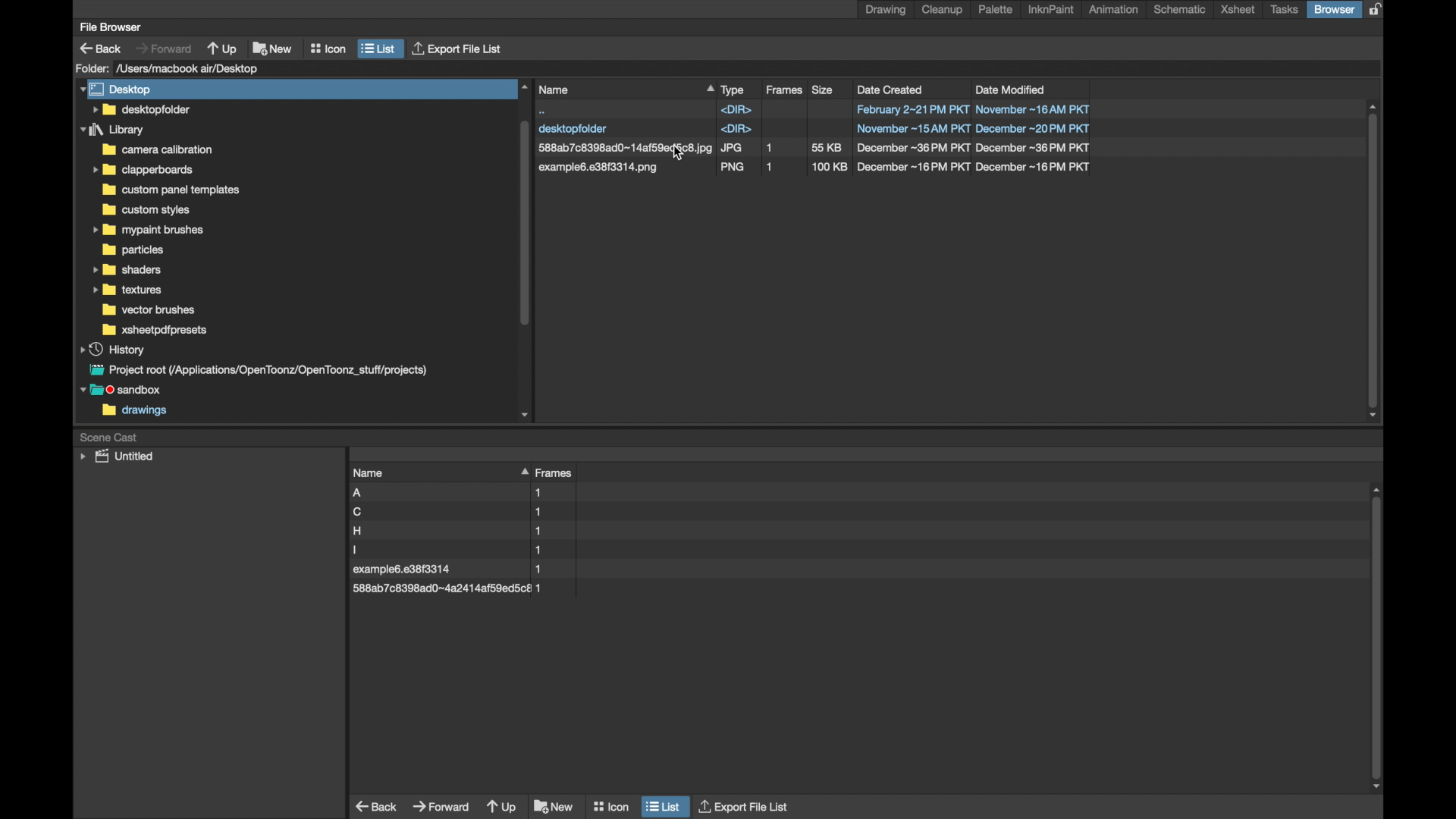 This screenshot has width=1456, height=819. What do you see at coordinates (1285, 10) in the screenshot?
I see `tasks` at bounding box center [1285, 10].